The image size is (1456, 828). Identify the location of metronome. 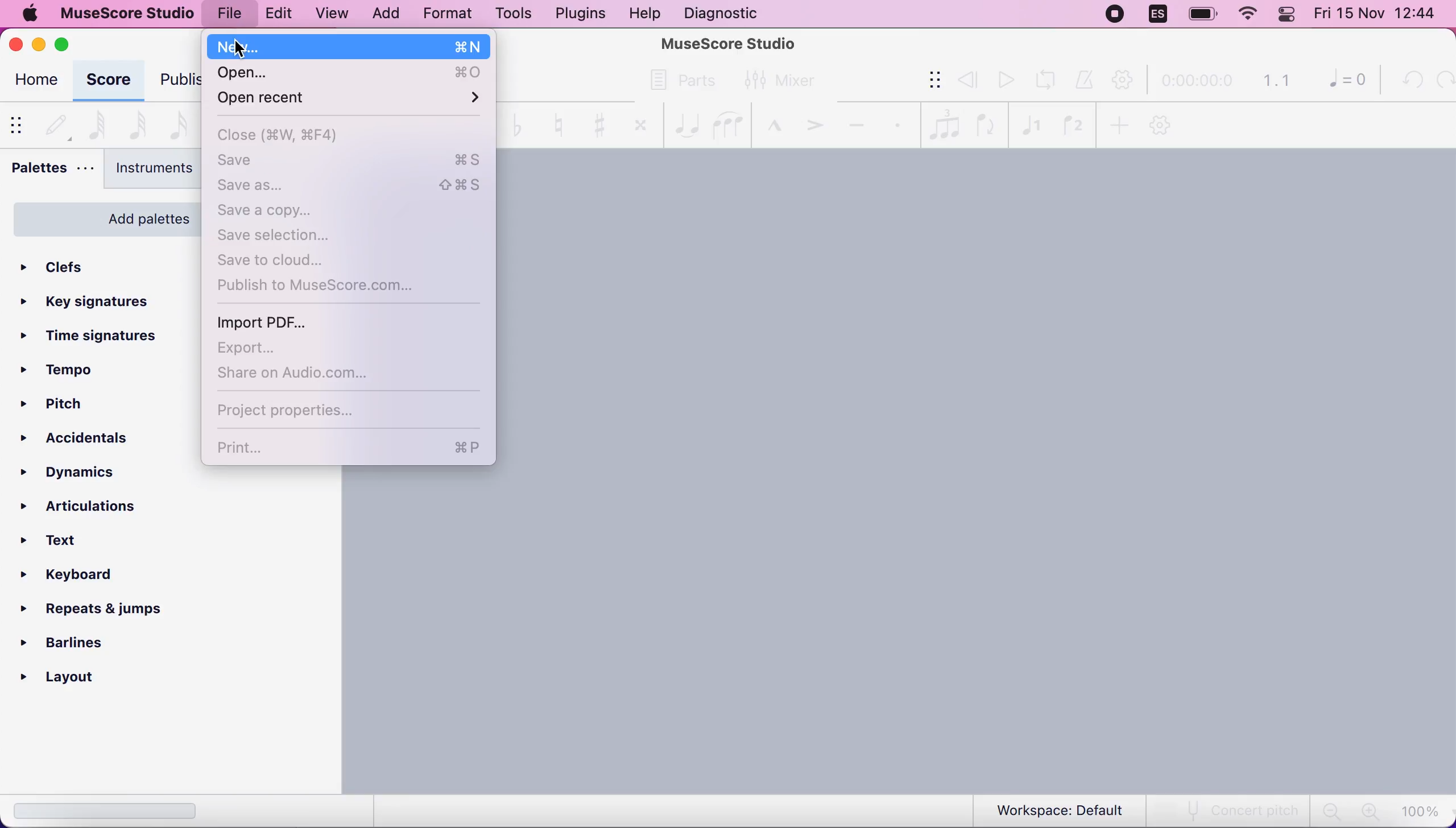
(1086, 80).